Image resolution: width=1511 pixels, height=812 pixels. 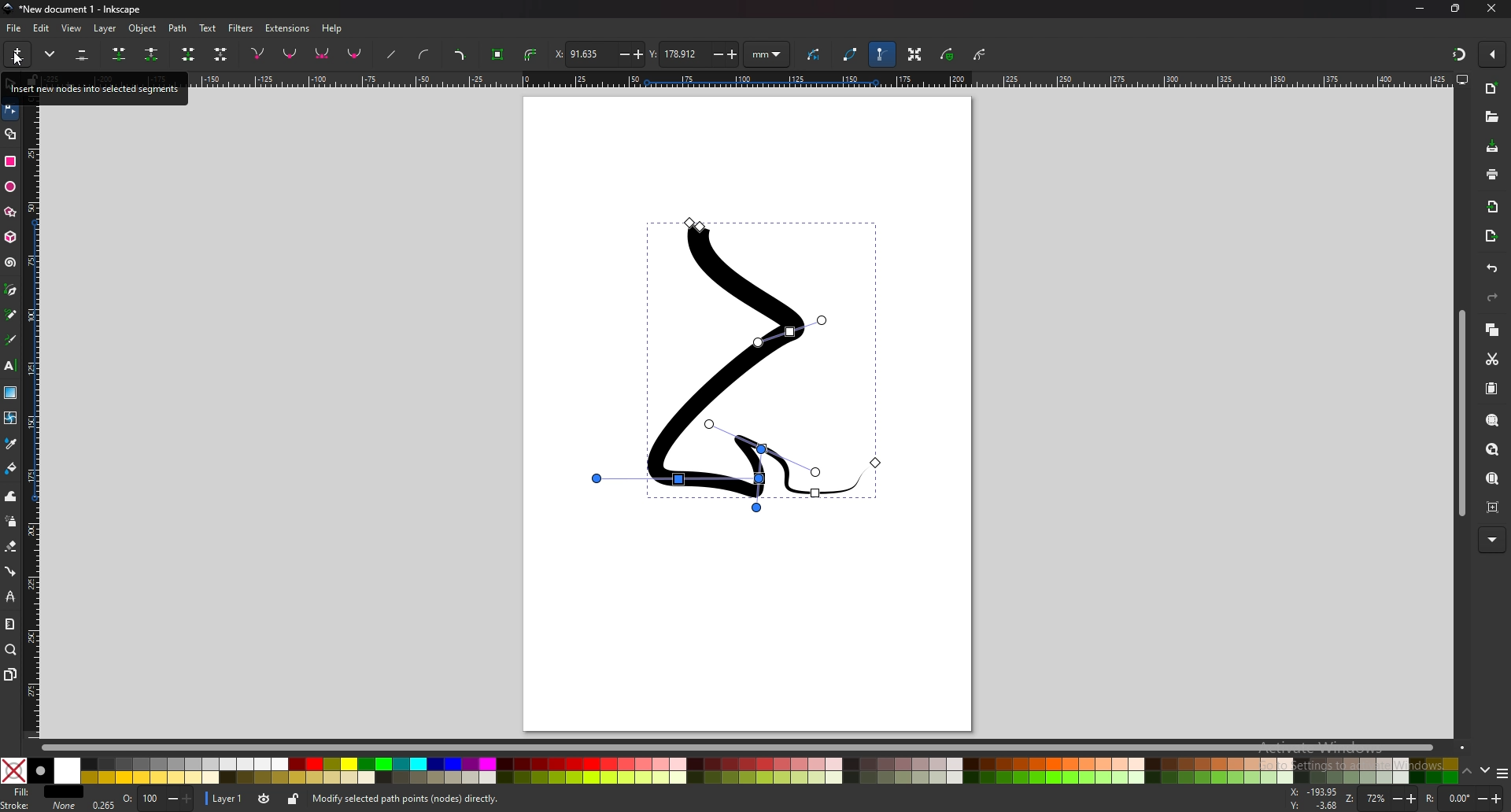 I want to click on Opacity, so click(x=140, y=799).